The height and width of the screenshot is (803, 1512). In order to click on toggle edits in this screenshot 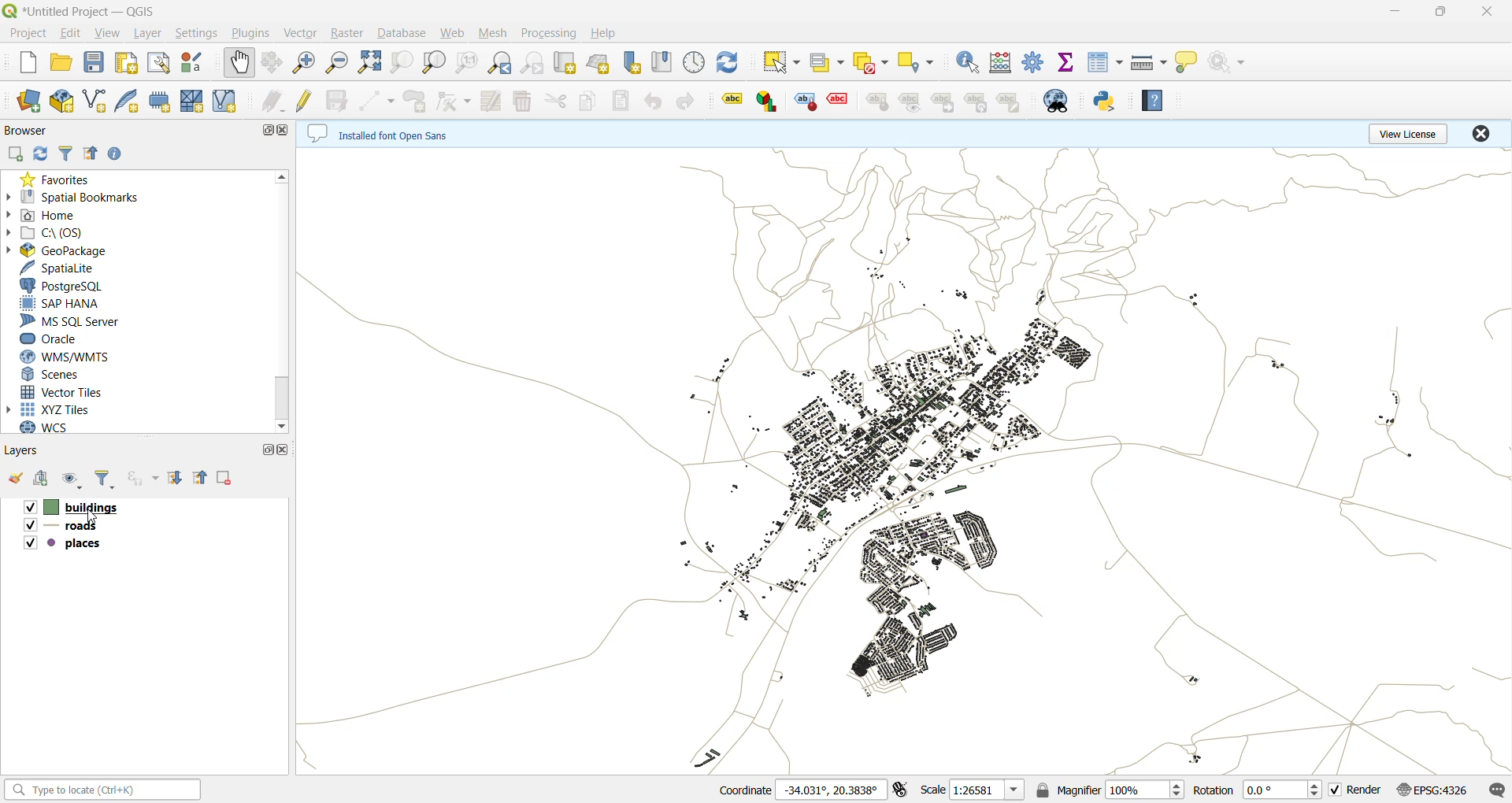, I will do `click(306, 100)`.